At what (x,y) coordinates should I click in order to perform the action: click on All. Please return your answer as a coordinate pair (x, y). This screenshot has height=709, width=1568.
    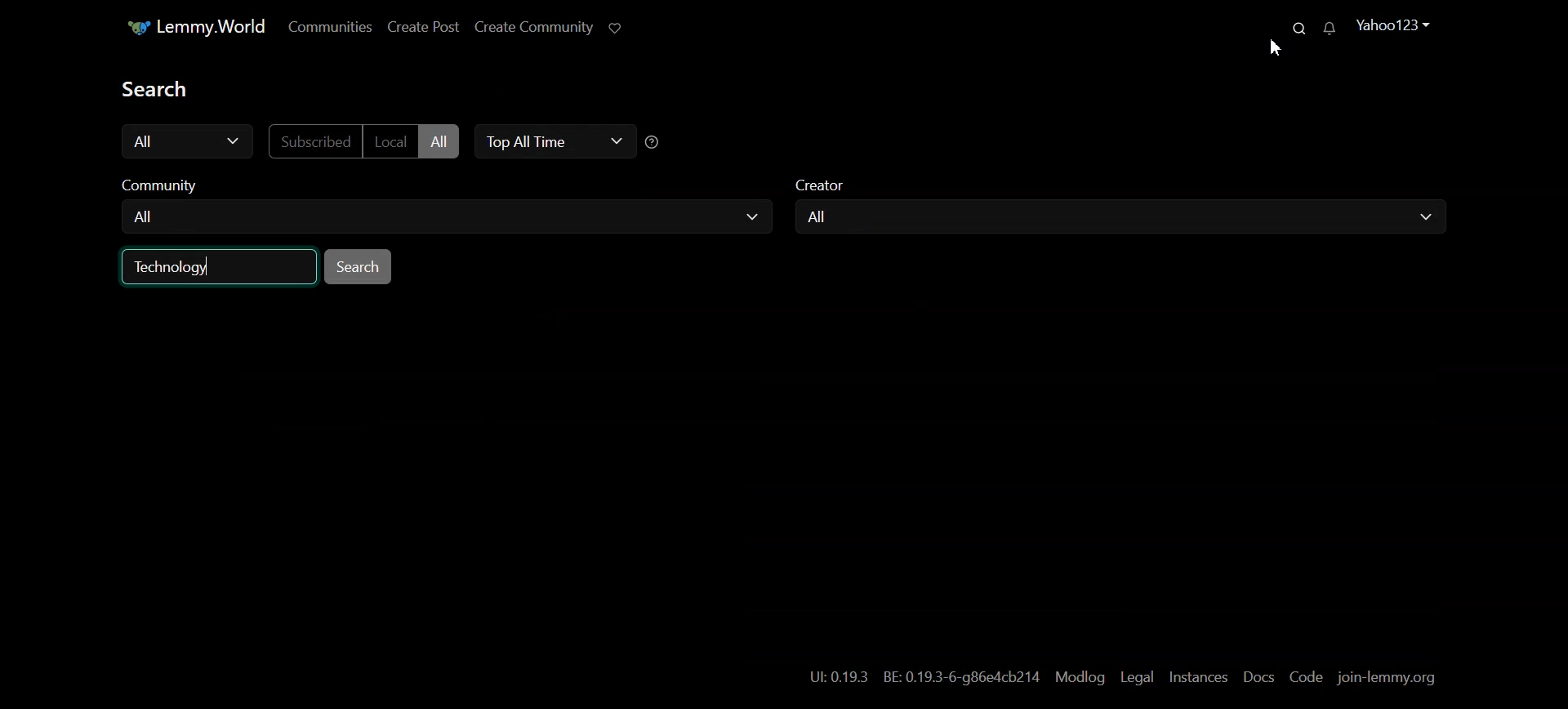
    Looking at the image, I should click on (445, 216).